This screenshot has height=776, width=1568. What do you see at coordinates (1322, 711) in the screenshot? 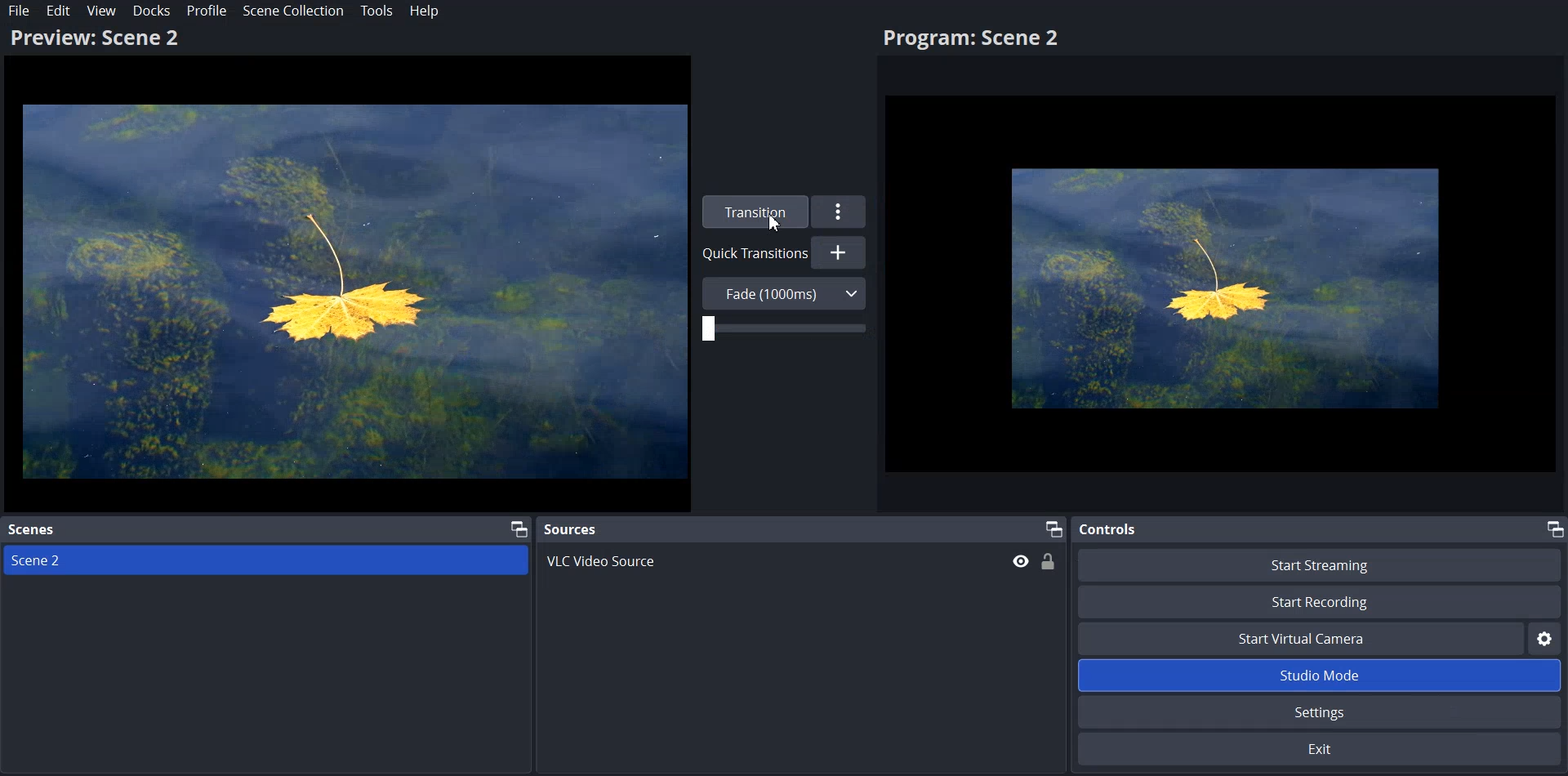
I see `Settings` at bounding box center [1322, 711].